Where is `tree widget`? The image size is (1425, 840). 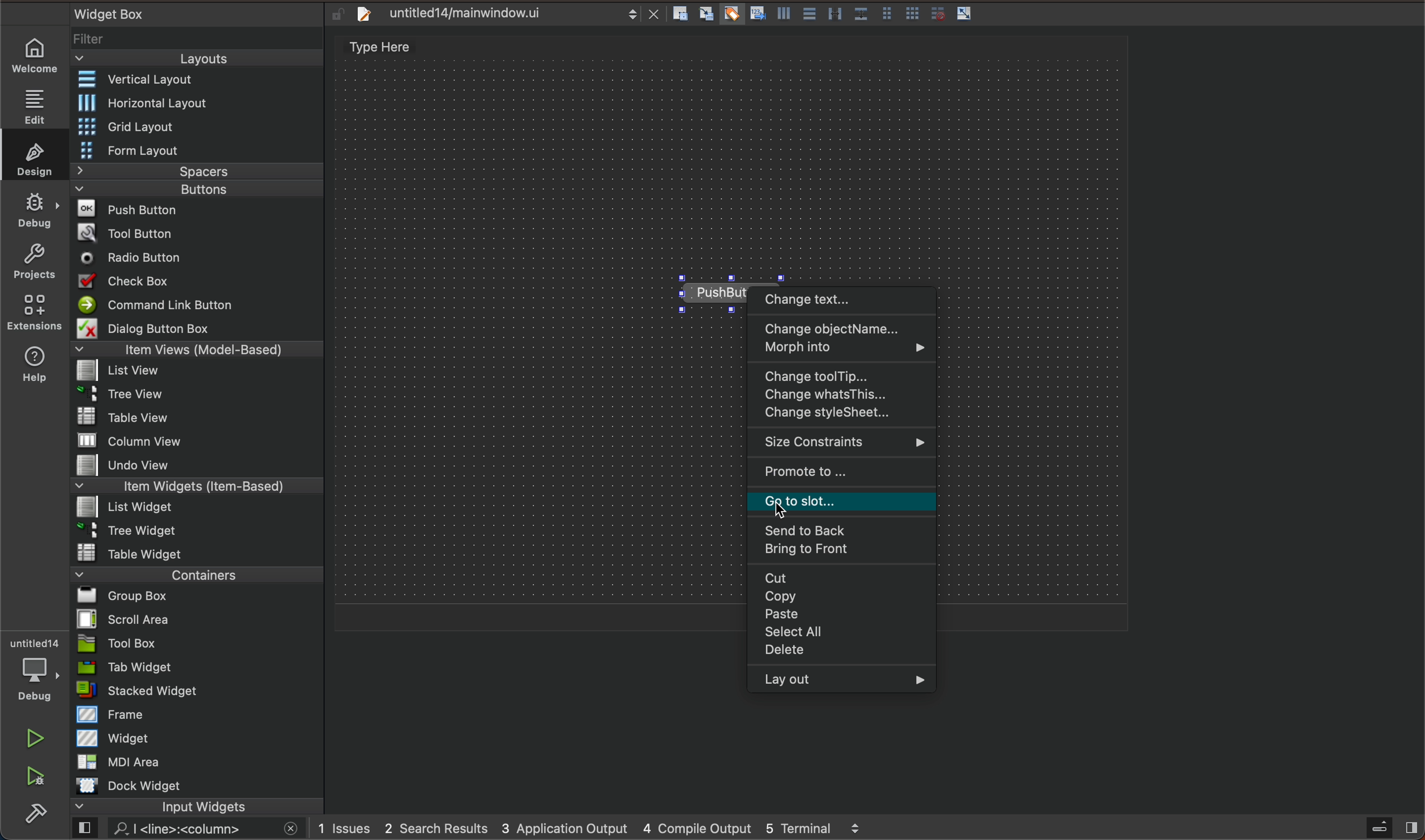 tree widget is located at coordinates (198, 531).